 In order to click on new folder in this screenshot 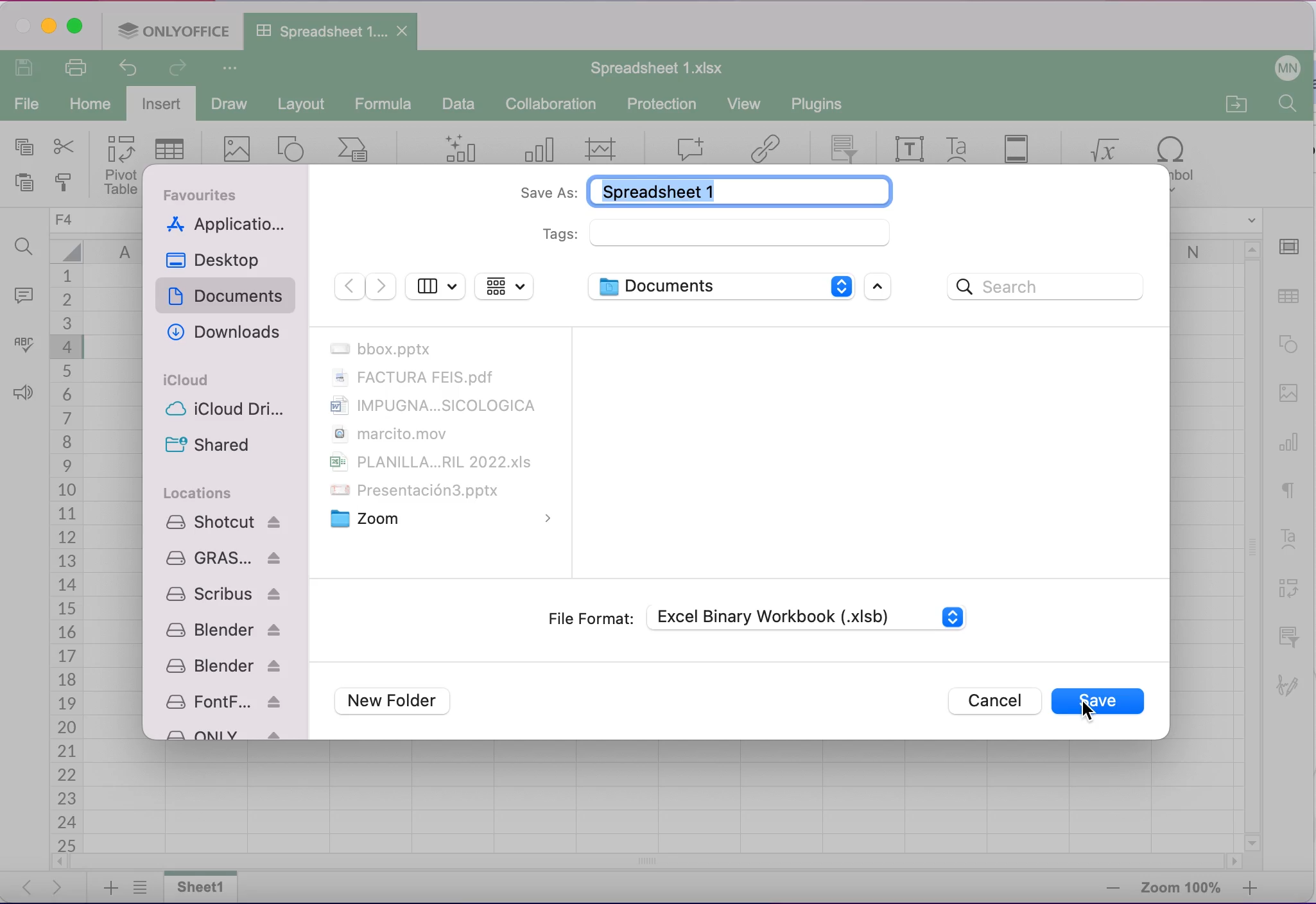, I will do `click(398, 702)`.